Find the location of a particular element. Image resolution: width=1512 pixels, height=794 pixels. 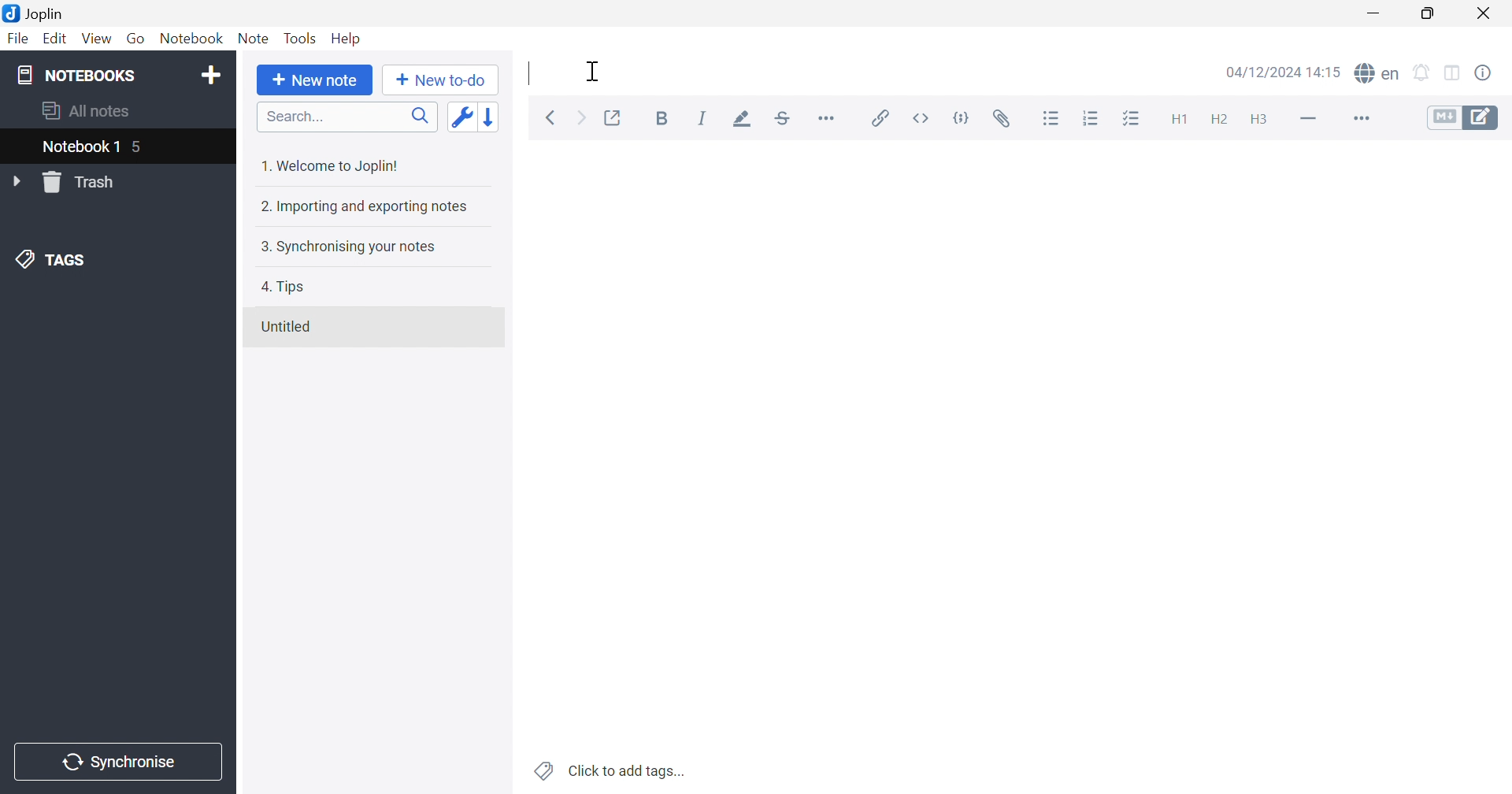

Code Block is located at coordinates (965, 121).